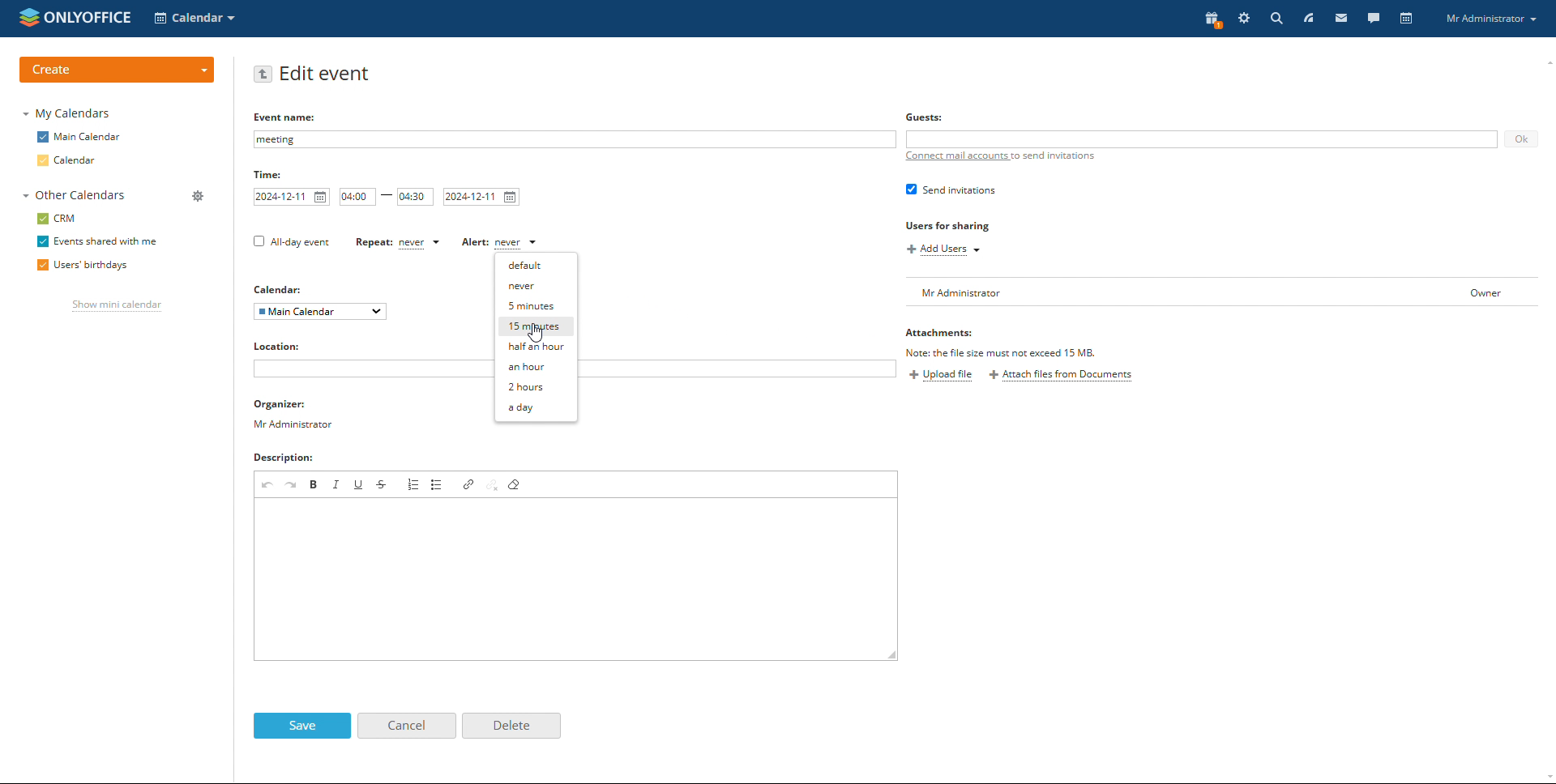 Image resolution: width=1556 pixels, height=784 pixels. What do you see at coordinates (267, 484) in the screenshot?
I see `undo` at bounding box center [267, 484].